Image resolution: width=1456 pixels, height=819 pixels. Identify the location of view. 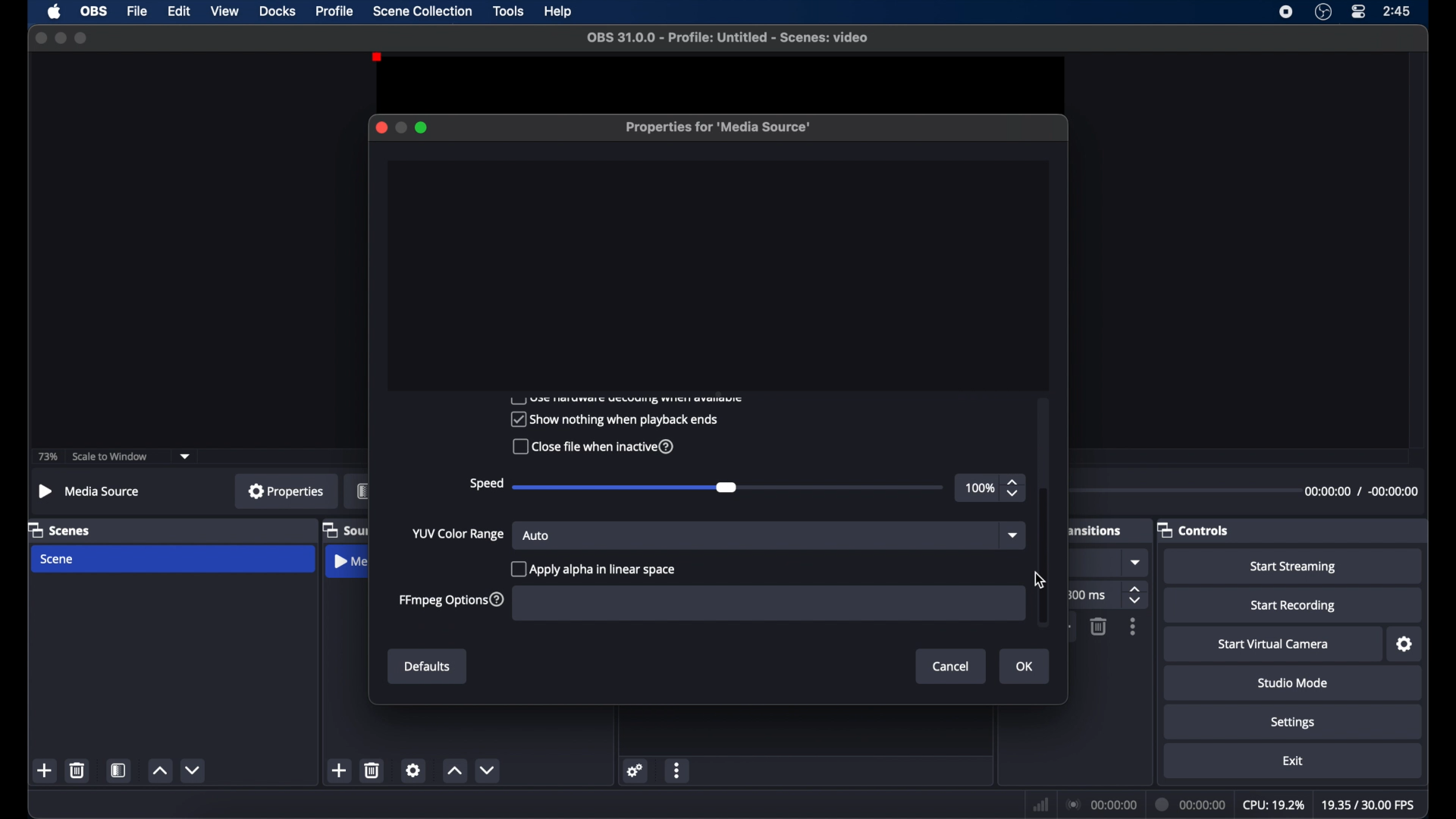
(224, 11).